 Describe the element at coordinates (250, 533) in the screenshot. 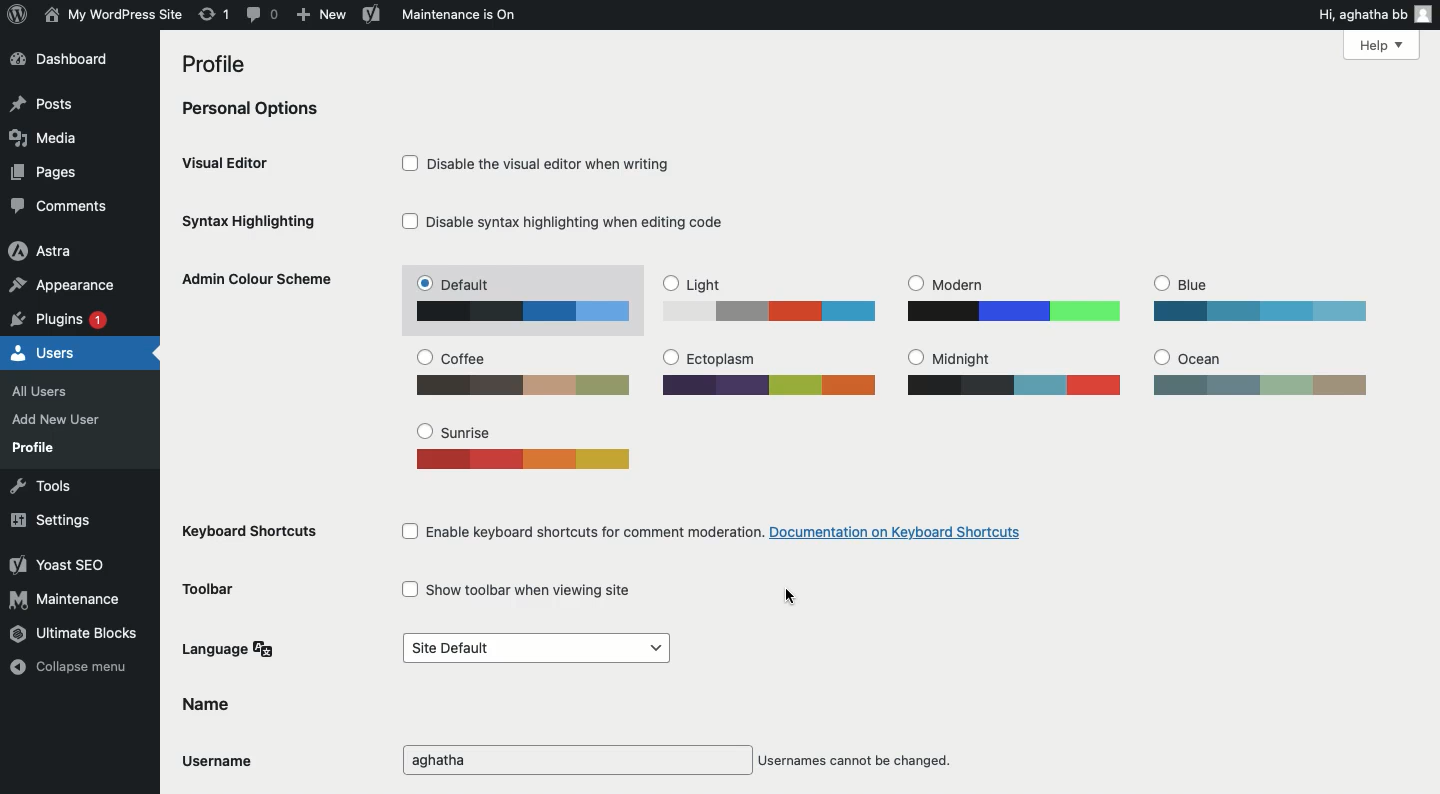

I see `Keyboard shortcuts` at that location.